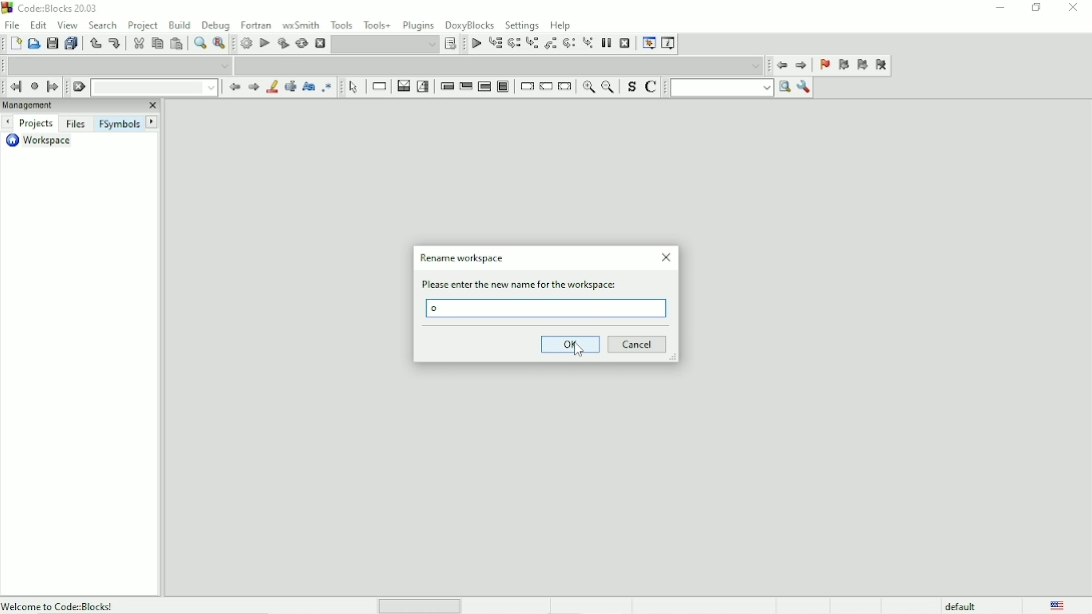 The image size is (1092, 614). I want to click on Run search, so click(730, 87).